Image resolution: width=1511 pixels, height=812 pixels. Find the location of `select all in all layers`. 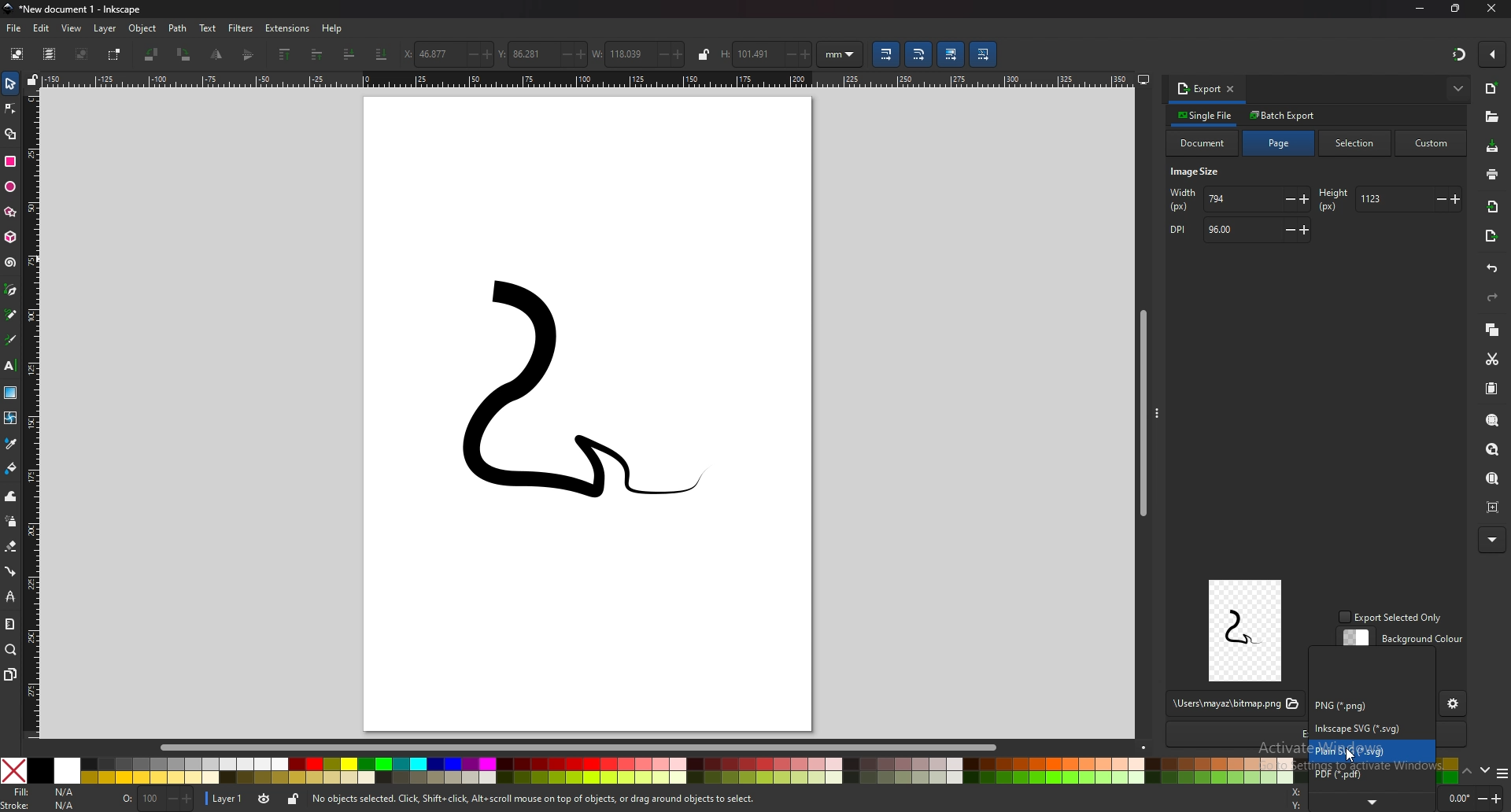

select all in all layers is located at coordinates (49, 54).